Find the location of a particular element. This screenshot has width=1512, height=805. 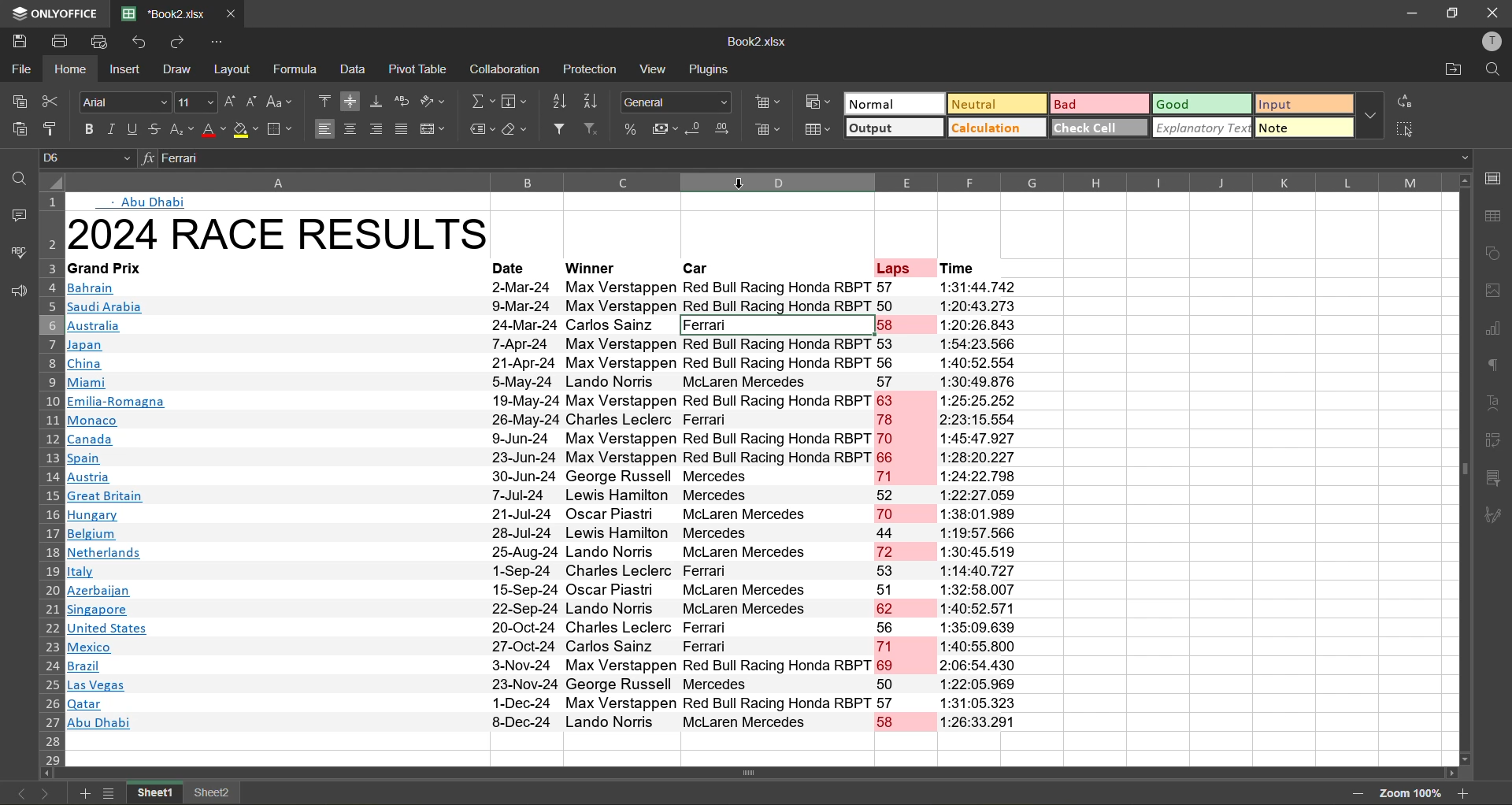

China 21-Apr-24 Nax Verstappen Red Bull Racing fonda Rr | ob 1:40:92.904 is located at coordinates (545, 364).